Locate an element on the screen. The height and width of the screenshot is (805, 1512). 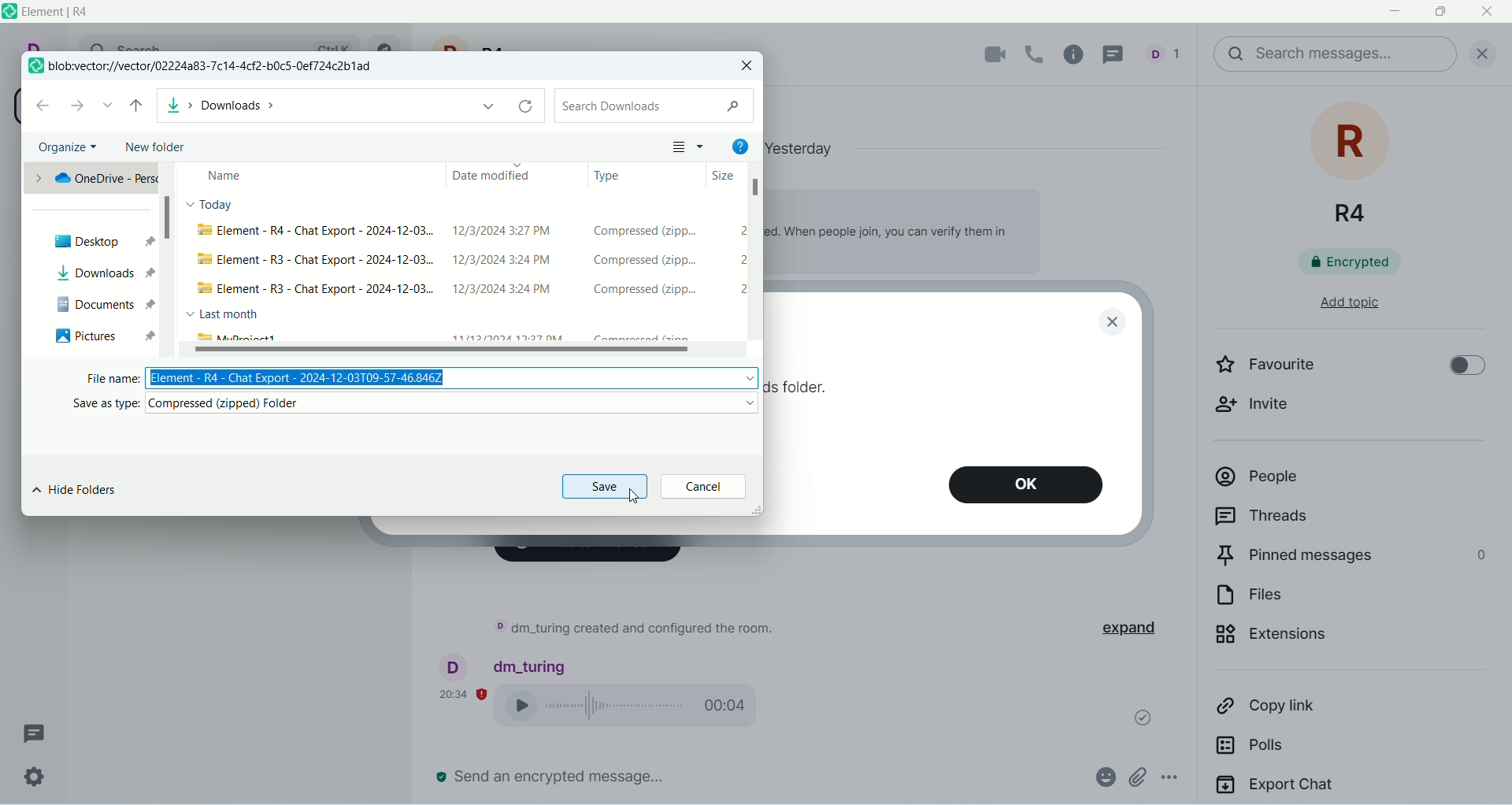
close is located at coordinates (1489, 13).